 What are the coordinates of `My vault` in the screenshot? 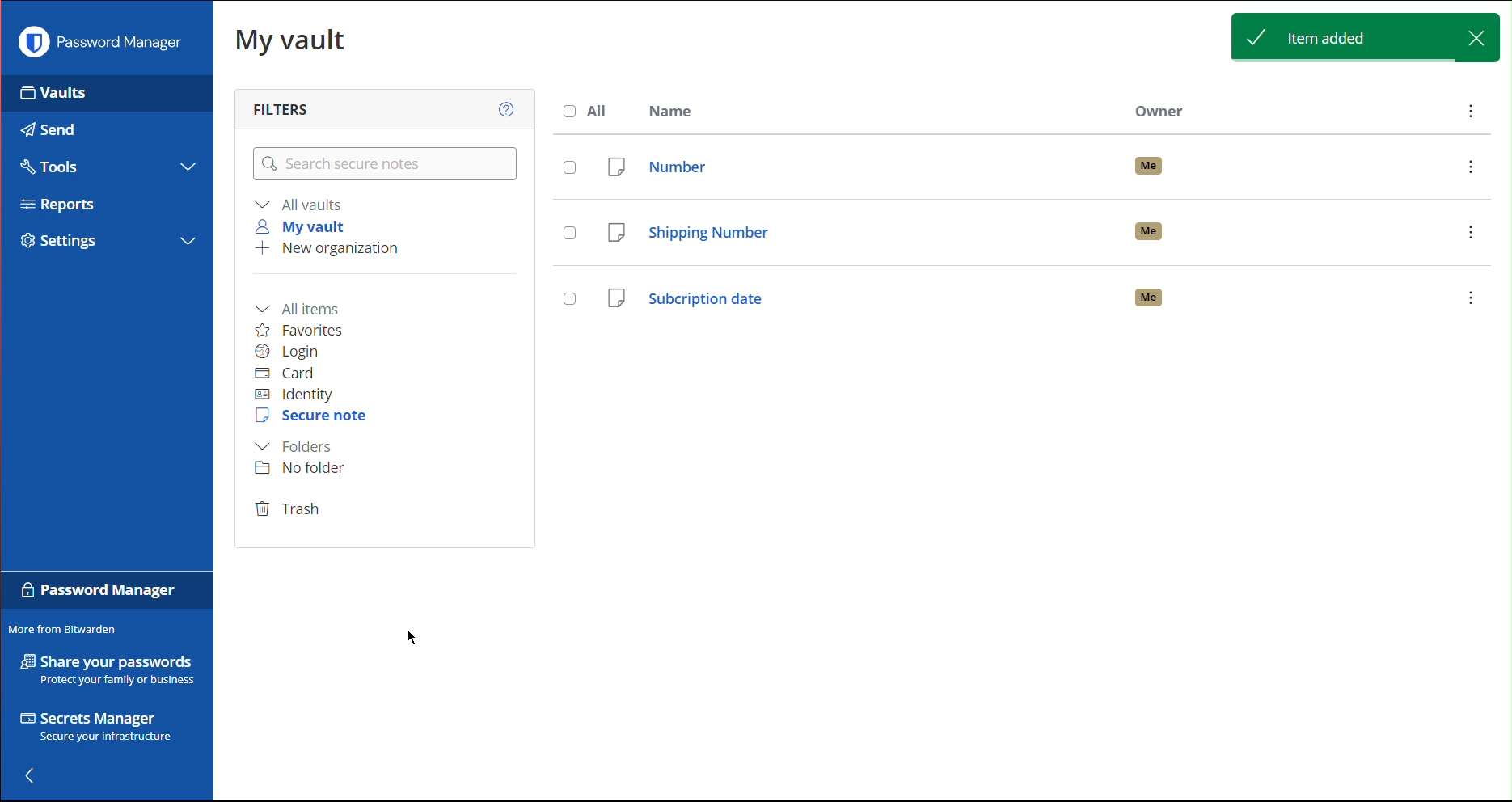 It's located at (305, 225).